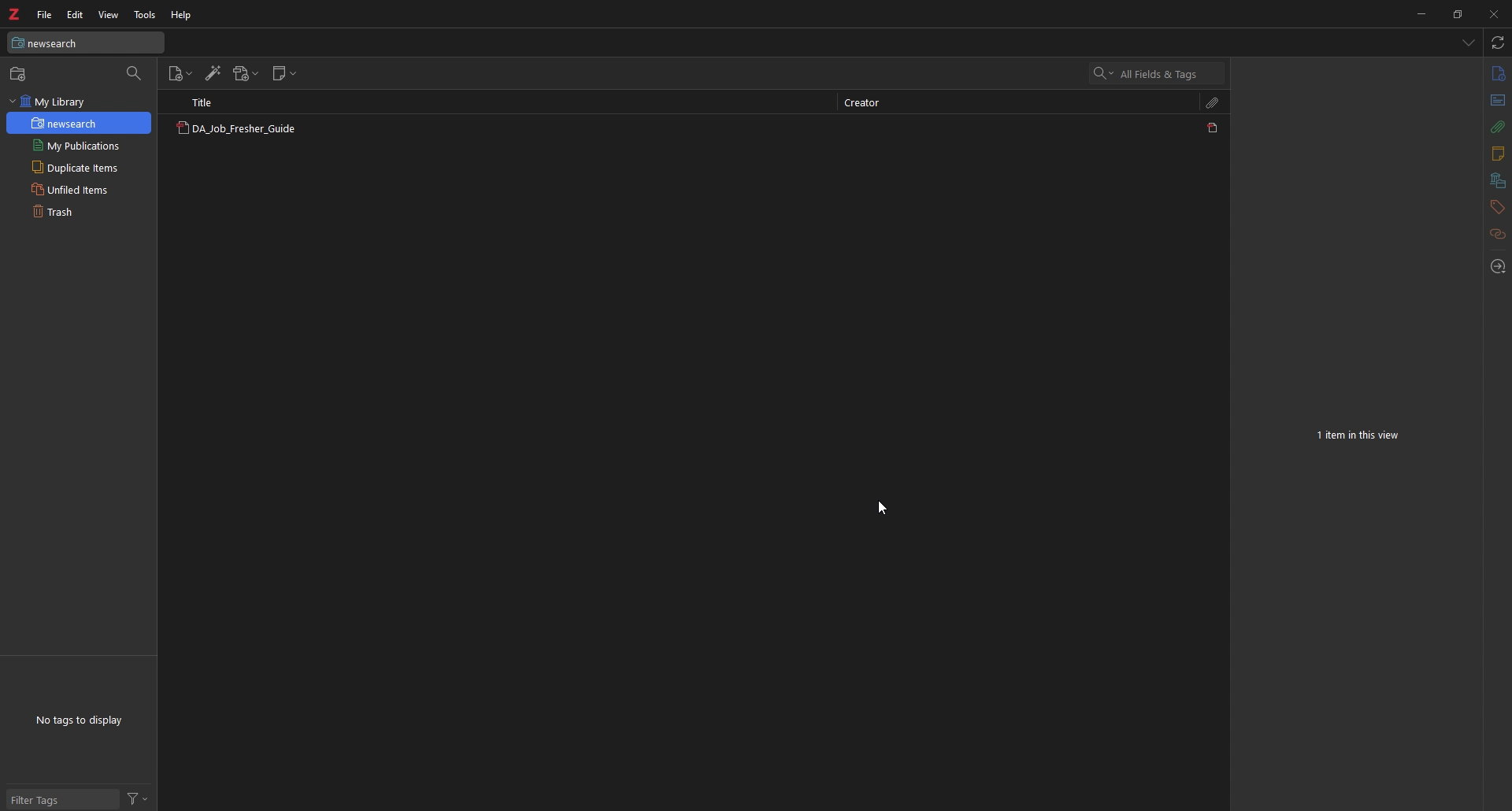 Image resolution: width=1512 pixels, height=811 pixels. What do you see at coordinates (1499, 42) in the screenshot?
I see `sync with zotero.org` at bounding box center [1499, 42].